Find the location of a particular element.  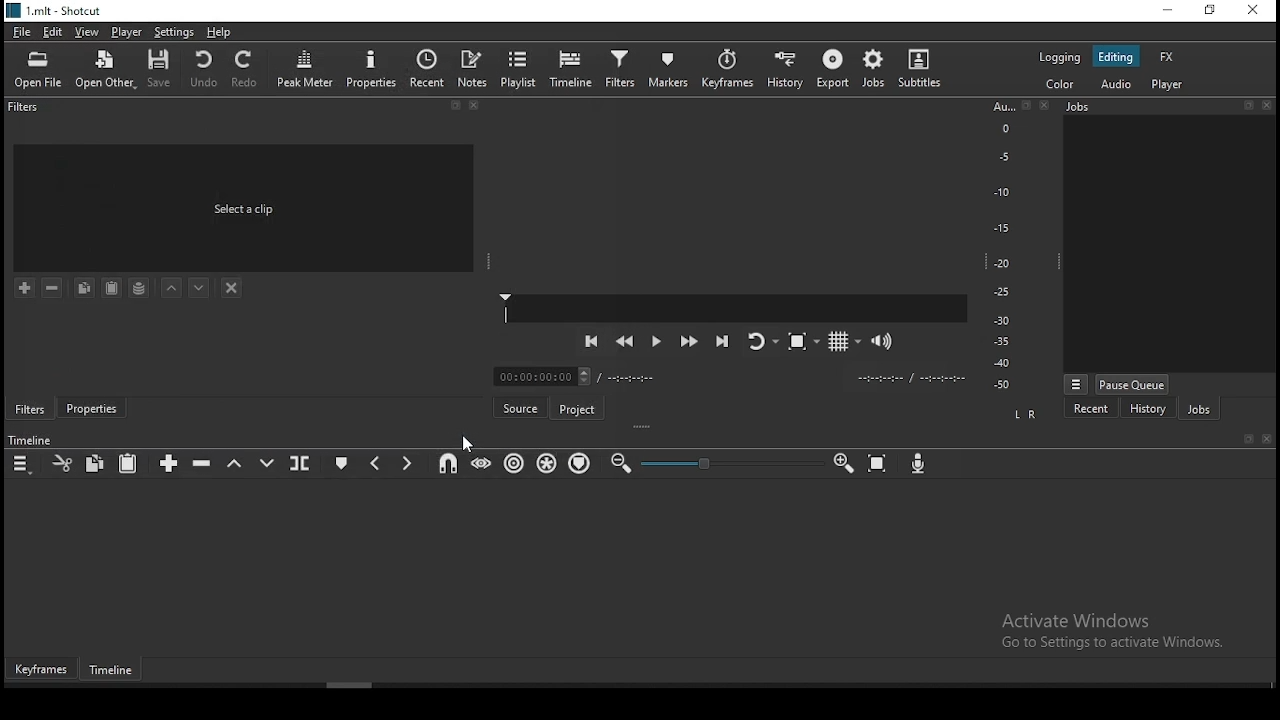

color is located at coordinates (1057, 85).